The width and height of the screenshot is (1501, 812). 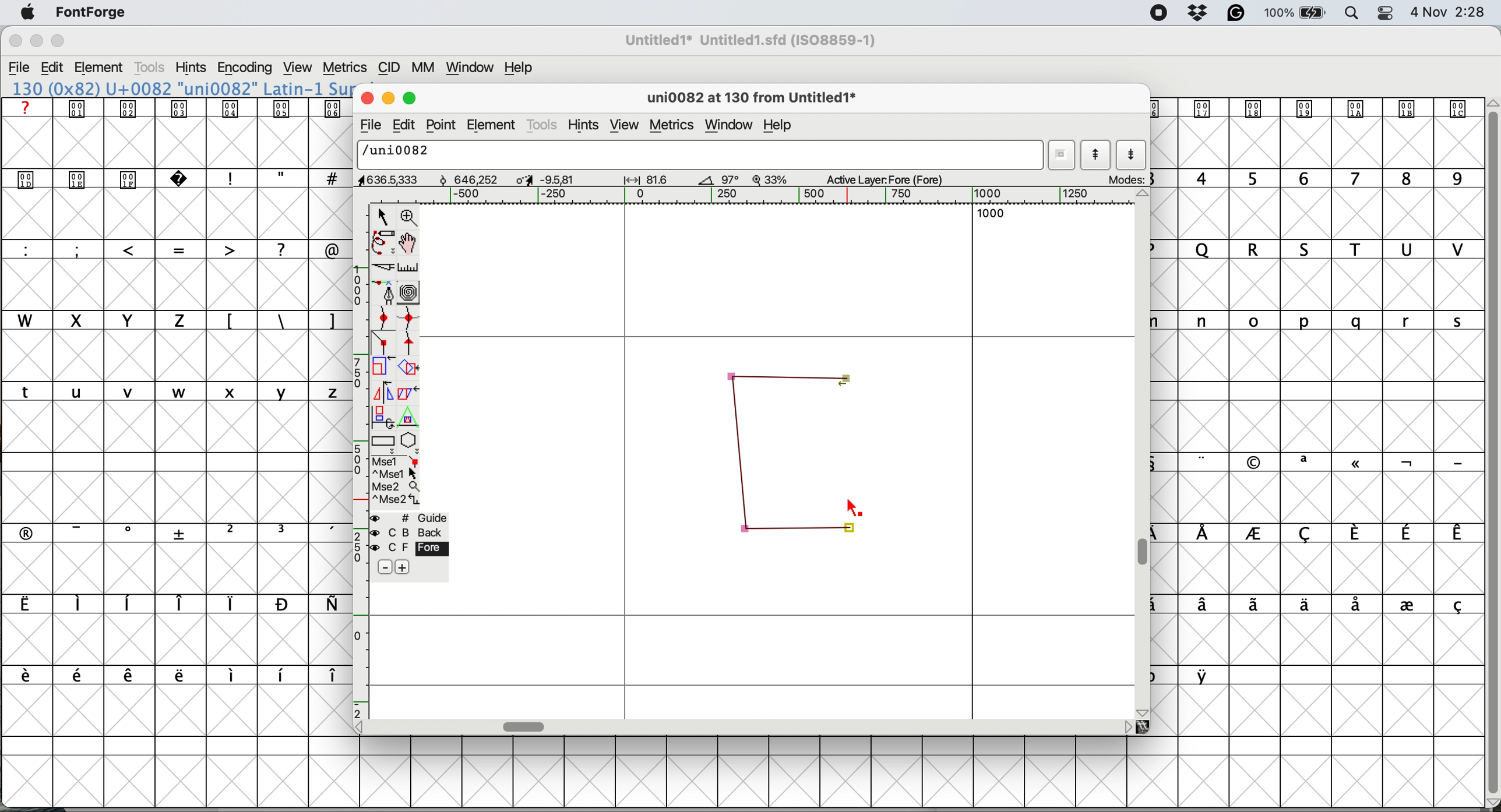 What do you see at coordinates (281, 322) in the screenshot?
I see `symbols` at bounding box center [281, 322].